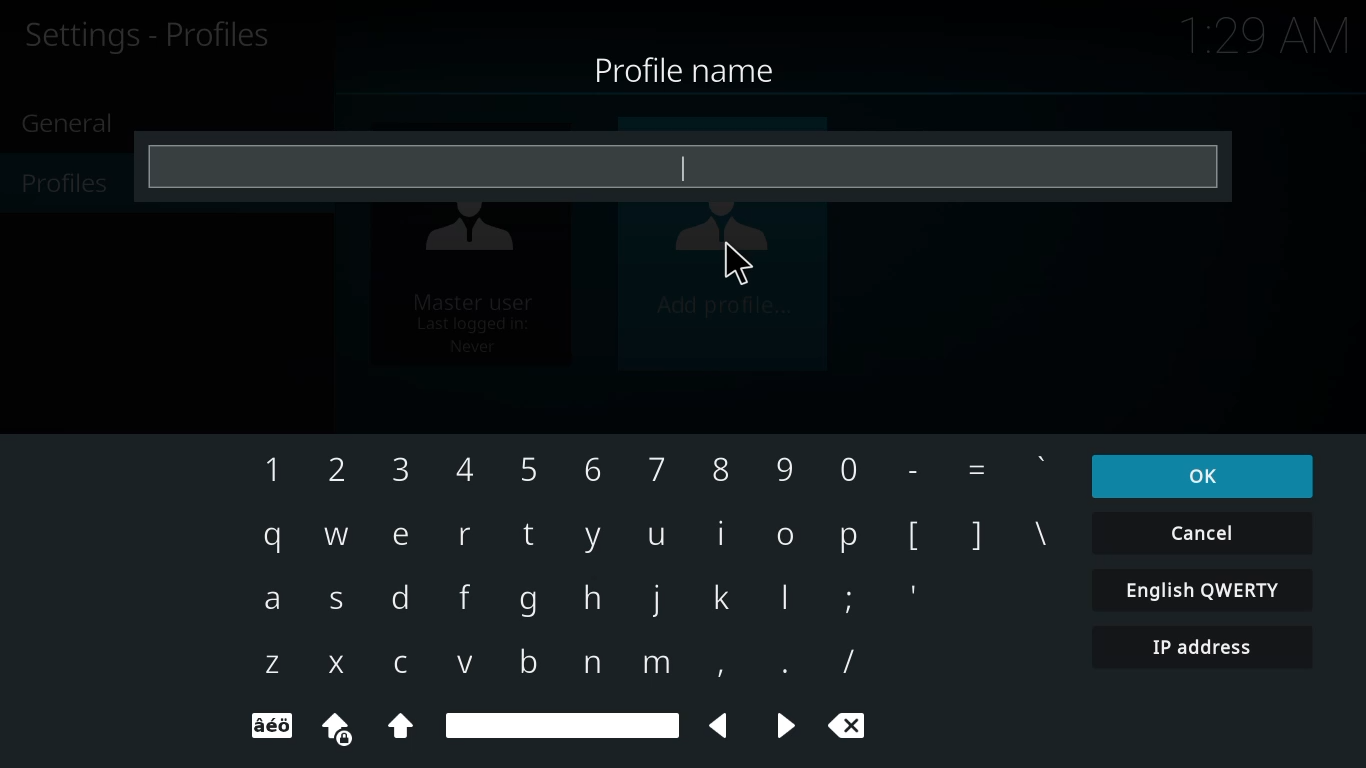  Describe the element at coordinates (782, 538) in the screenshot. I see `o` at that location.